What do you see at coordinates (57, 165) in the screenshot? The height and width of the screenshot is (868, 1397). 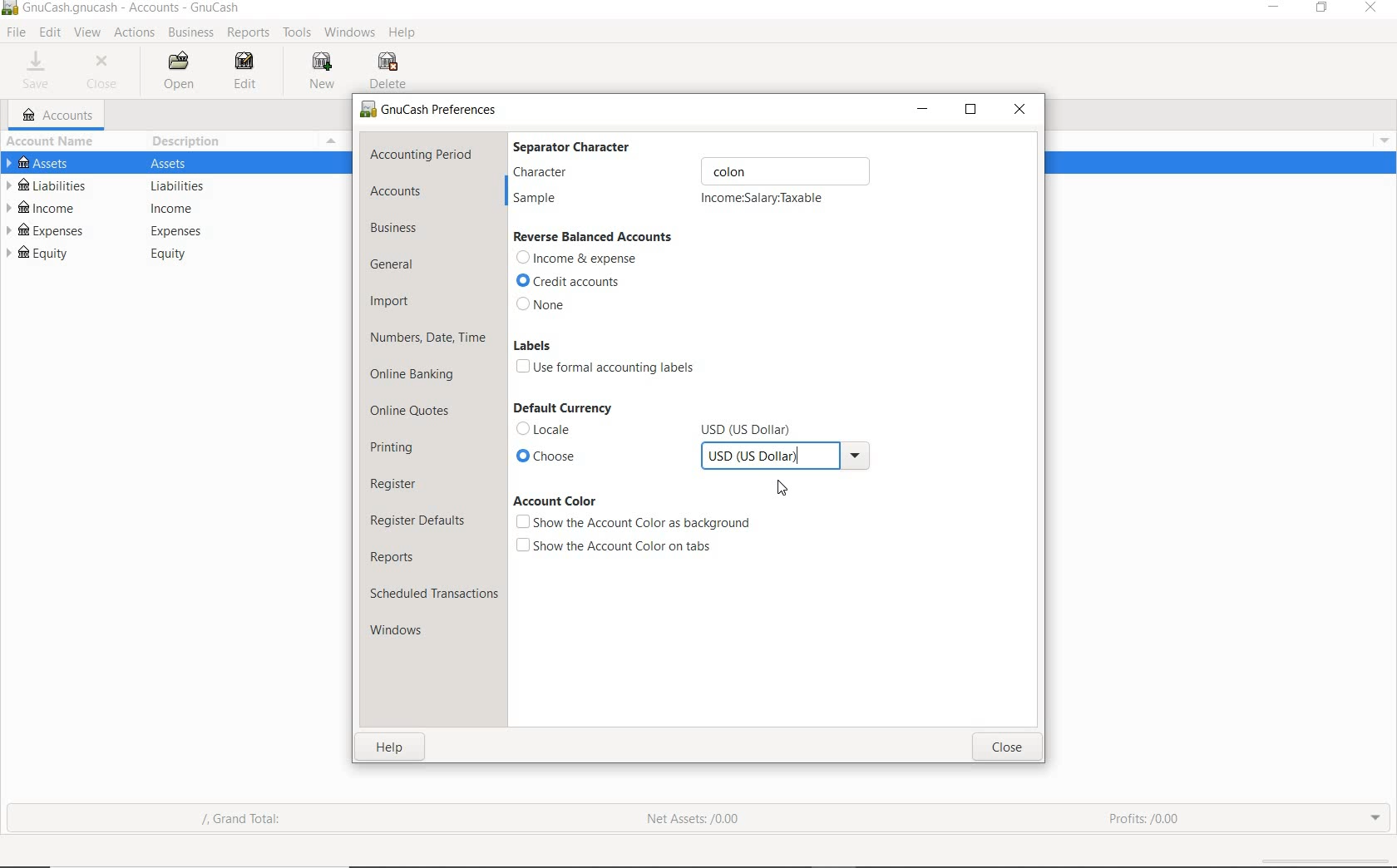 I see `ASSETS` at bounding box center [57, 165].